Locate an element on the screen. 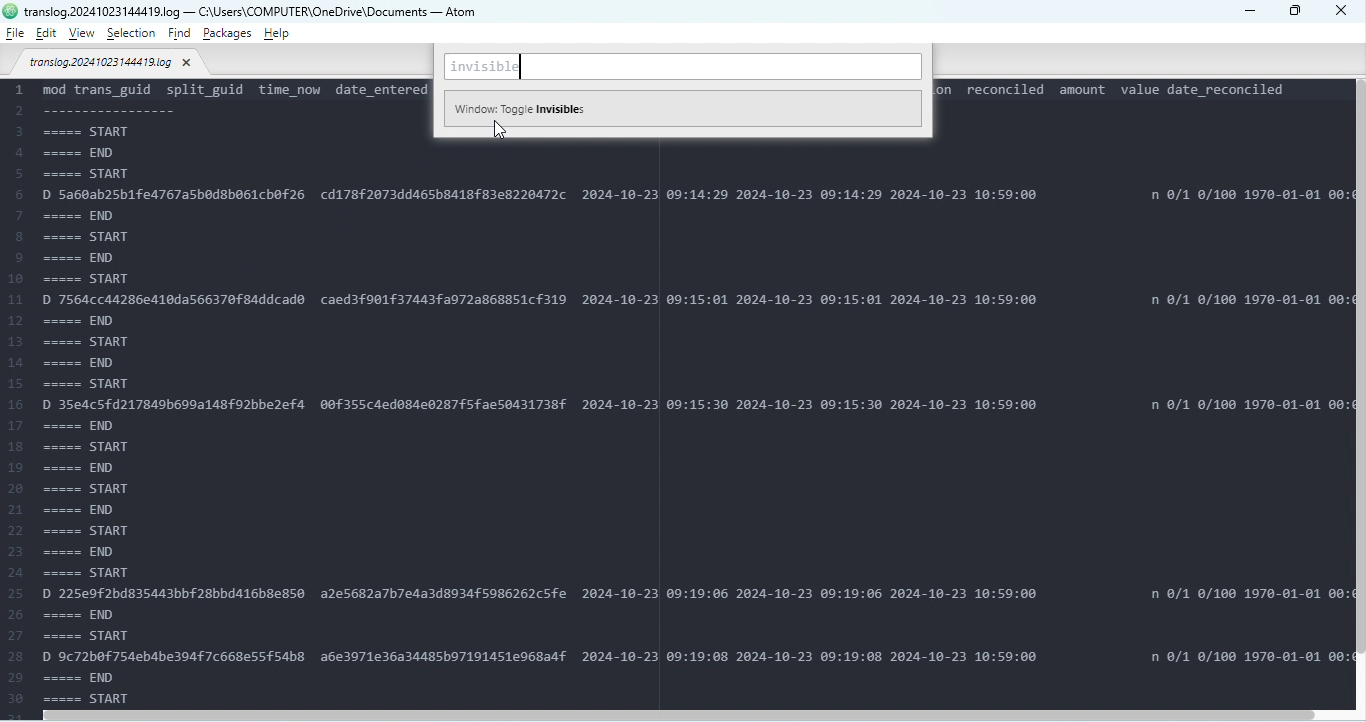  Vertical scroll bar is located at coordinates (1358, 396).